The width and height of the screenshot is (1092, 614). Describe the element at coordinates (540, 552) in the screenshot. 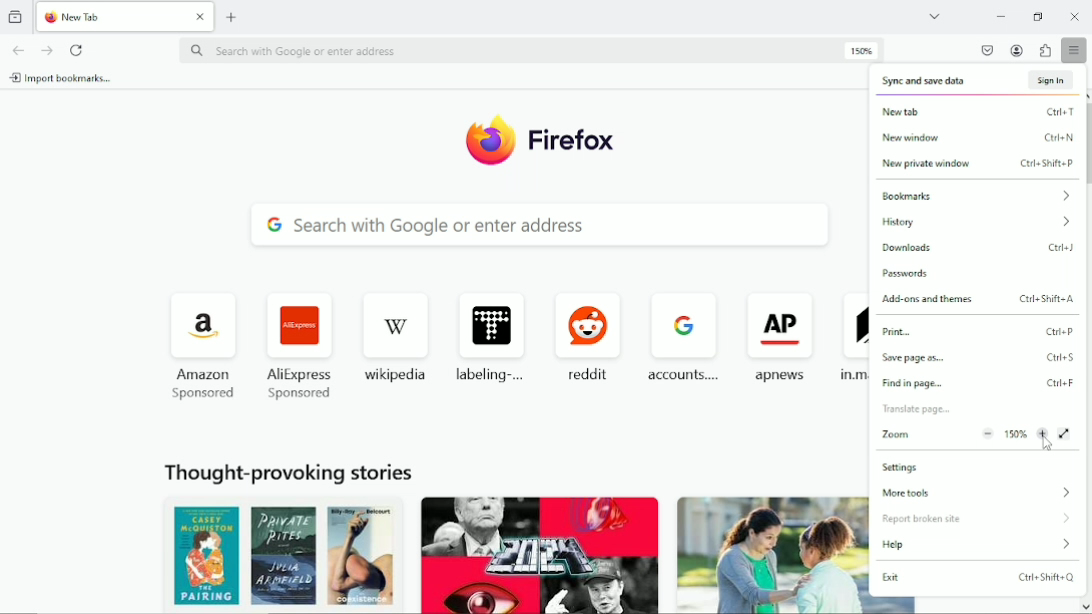

I see `image` at that location.